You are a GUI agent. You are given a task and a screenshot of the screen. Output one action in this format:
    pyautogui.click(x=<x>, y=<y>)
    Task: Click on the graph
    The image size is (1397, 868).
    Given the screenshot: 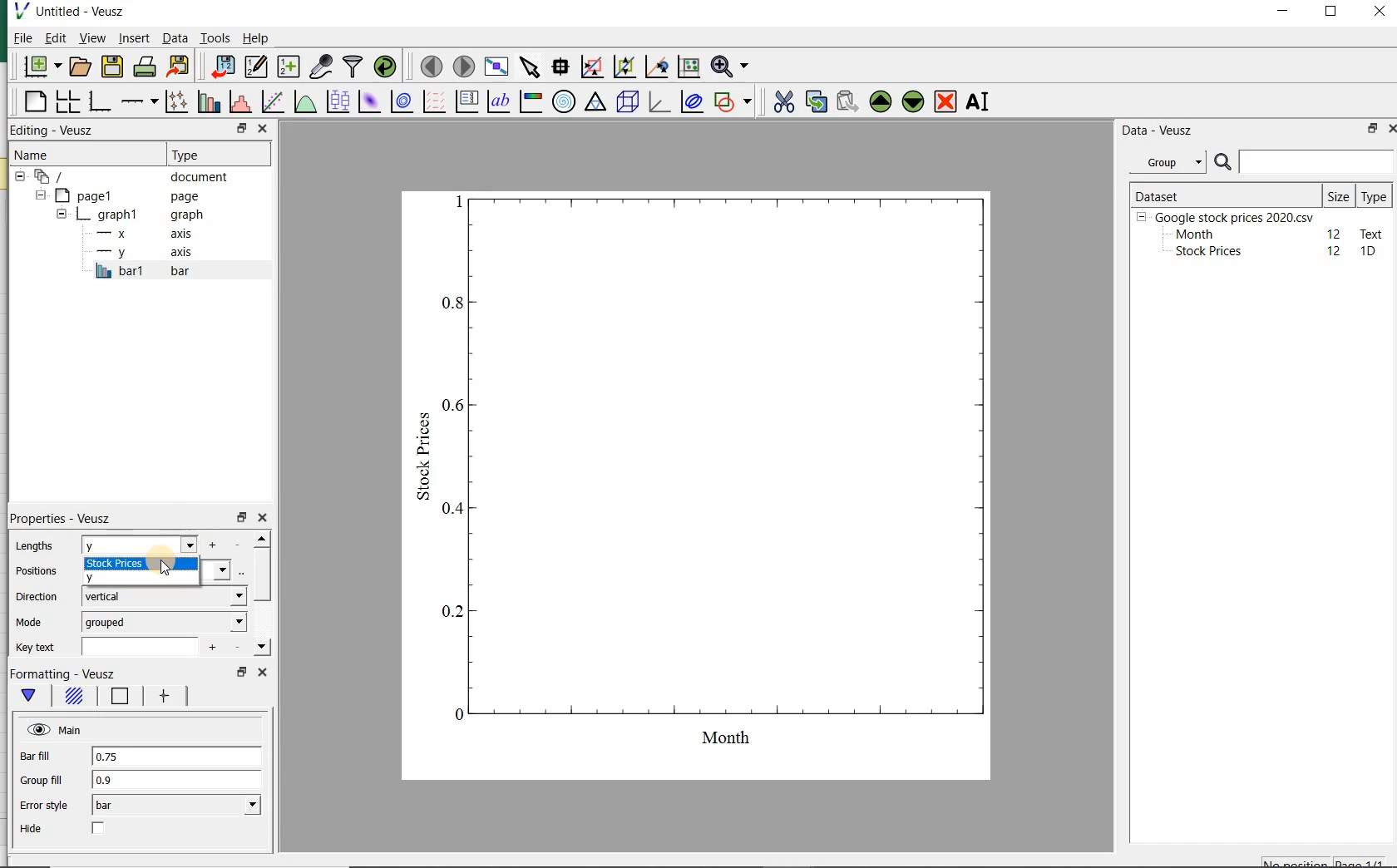 What is the action you would take?
    pyautogui.click(x=708, y=481)
    